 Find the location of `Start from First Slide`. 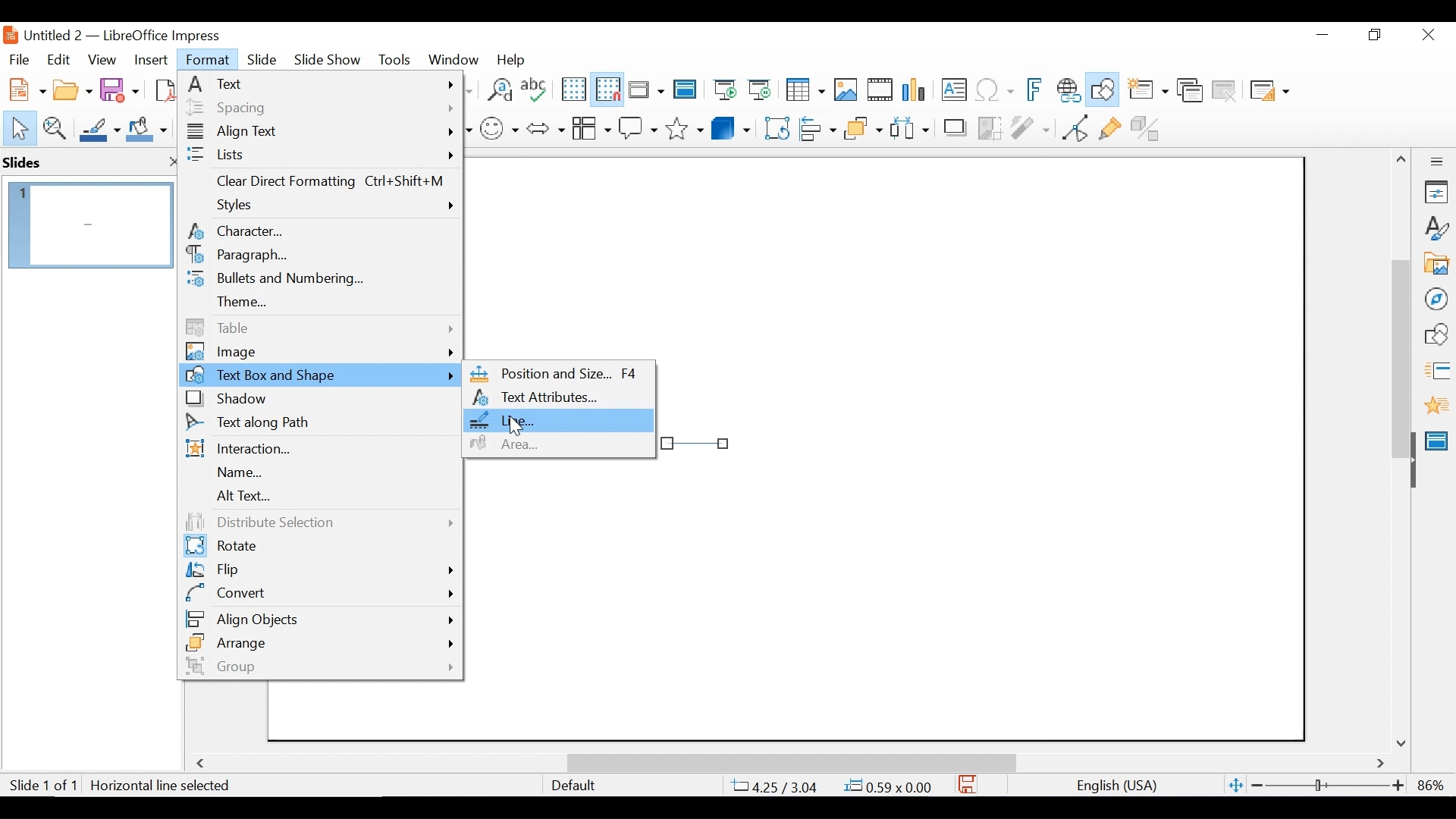

Start from First Slide is located at coordinates (723, 91).